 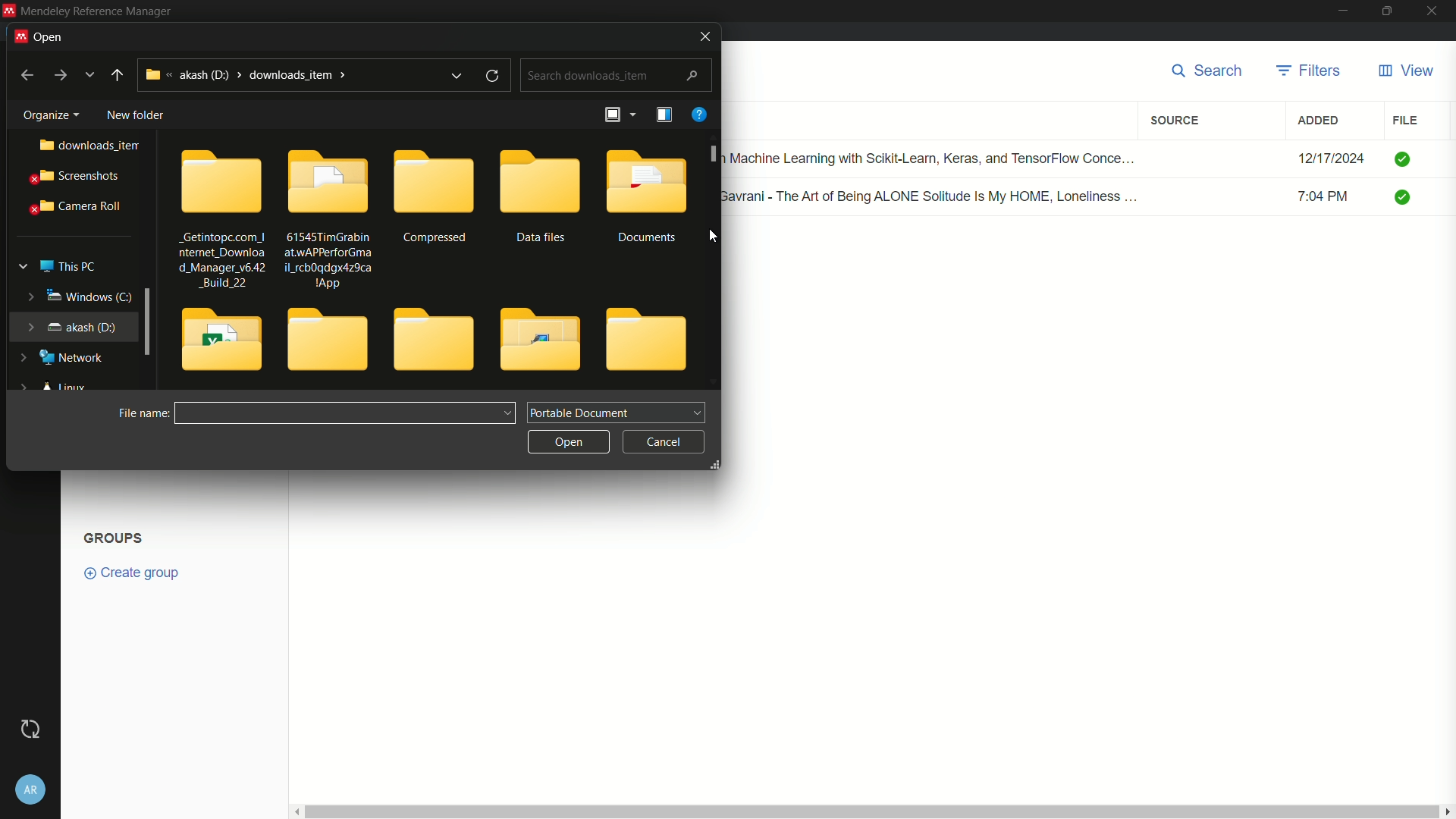 What do you see at coordinates (1407, 199) in the screenshot?
I see `check` at bounding box center [1407, 199].